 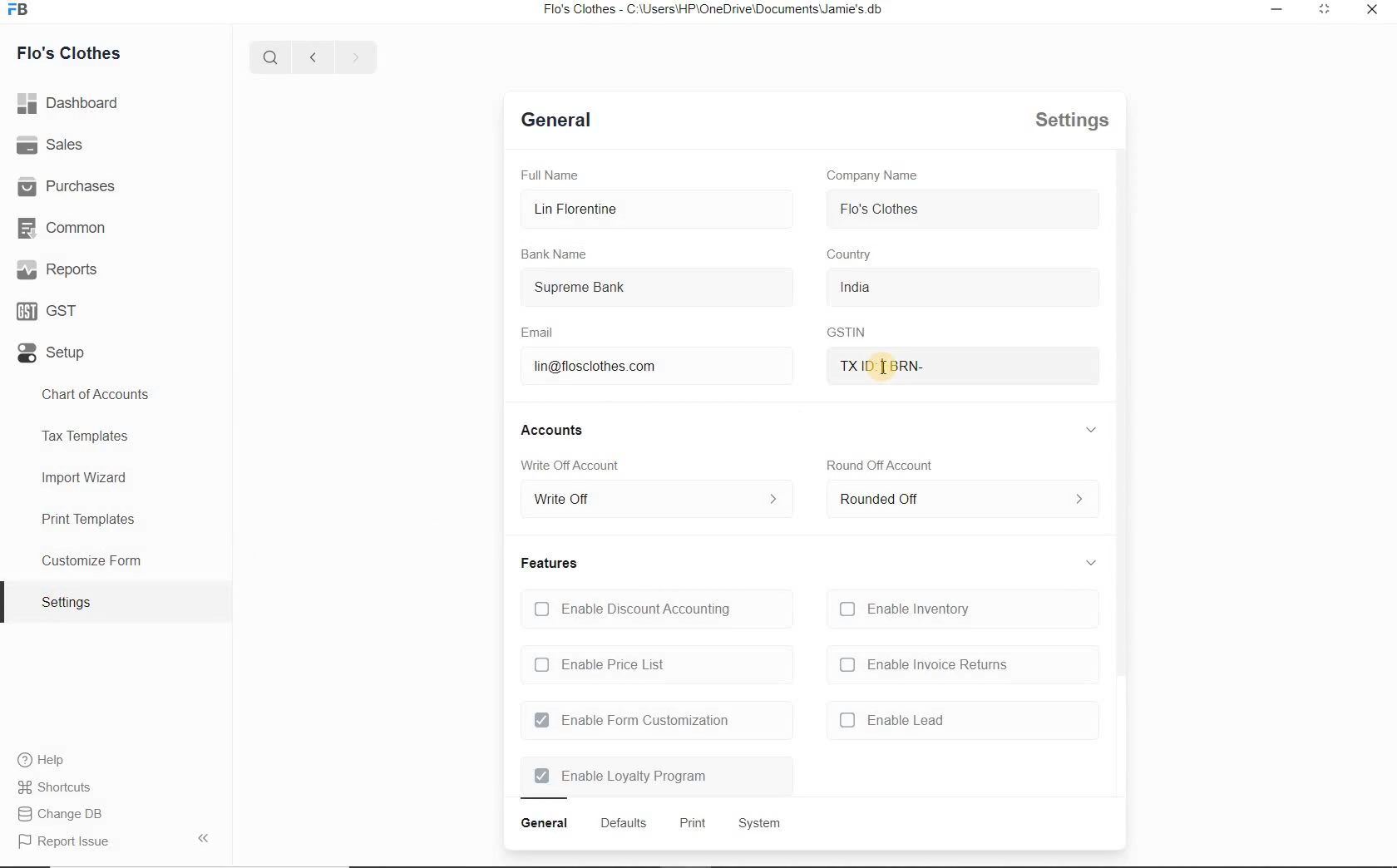 I want to click on search, so click(x=274, y=57).